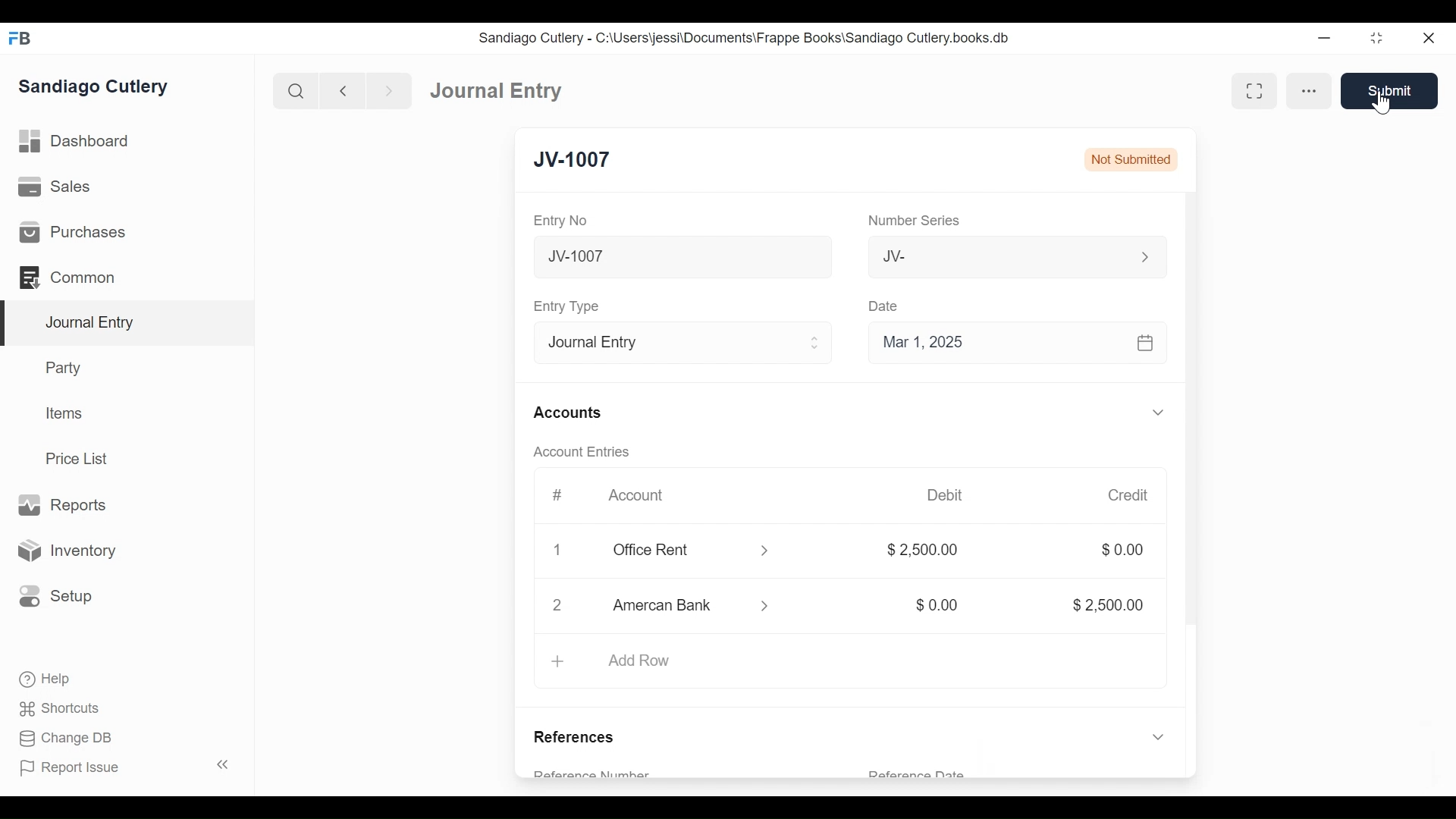 The height and width of the screenshot is (819, 1456). Describe the element at coordinates (1128, 495) in the screenshot. I see `Credit` at that location.